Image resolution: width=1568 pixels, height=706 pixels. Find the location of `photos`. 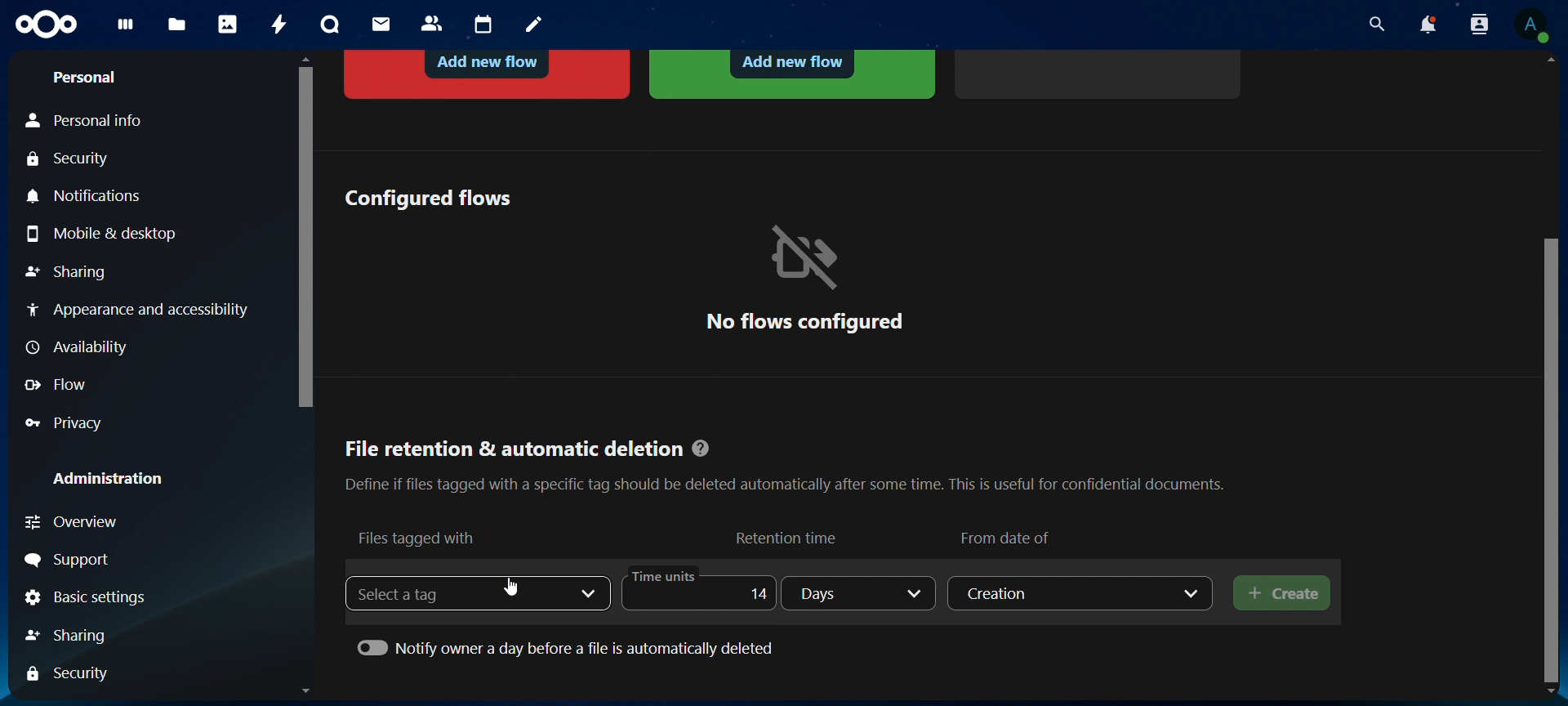

photos is located at coordinates (228, 24).